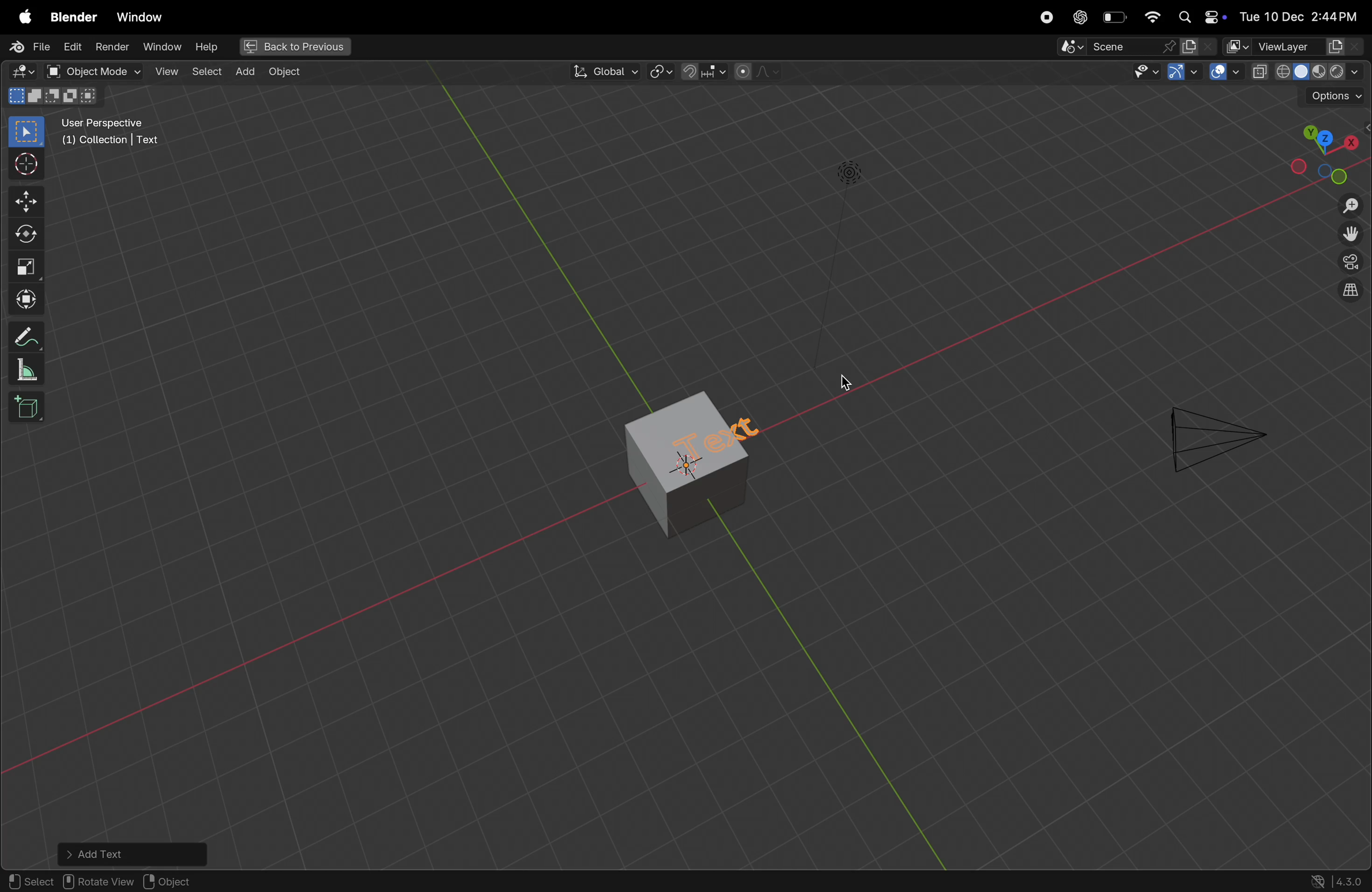 This screenshot has width=1372, height=892. What do you see at coordinates (1145, 74) in the screenshot?
I see `visibility` at bounding box center [1145, 74].